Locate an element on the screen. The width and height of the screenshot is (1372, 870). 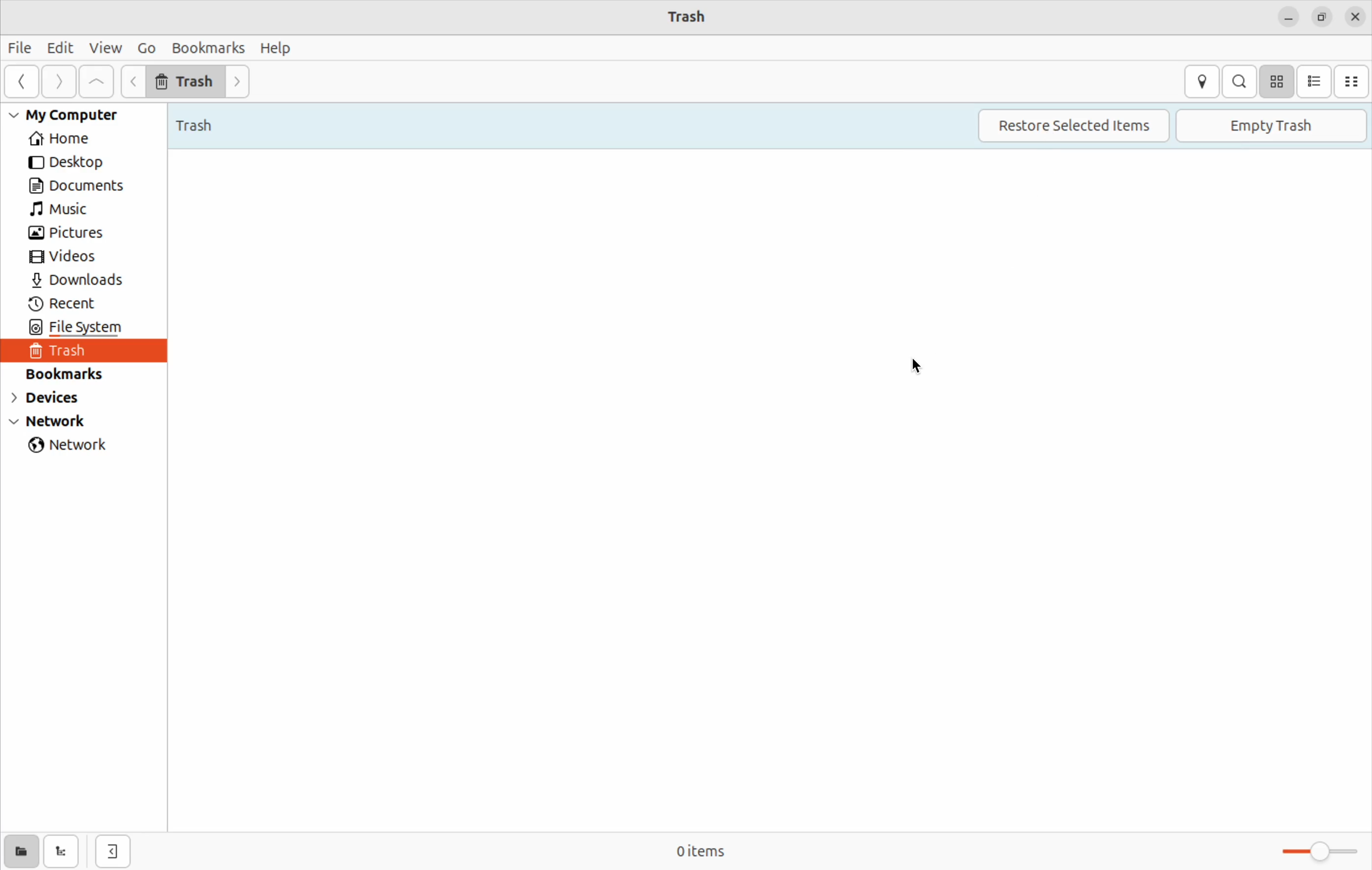
cursor is located at coordinates (921, 368).